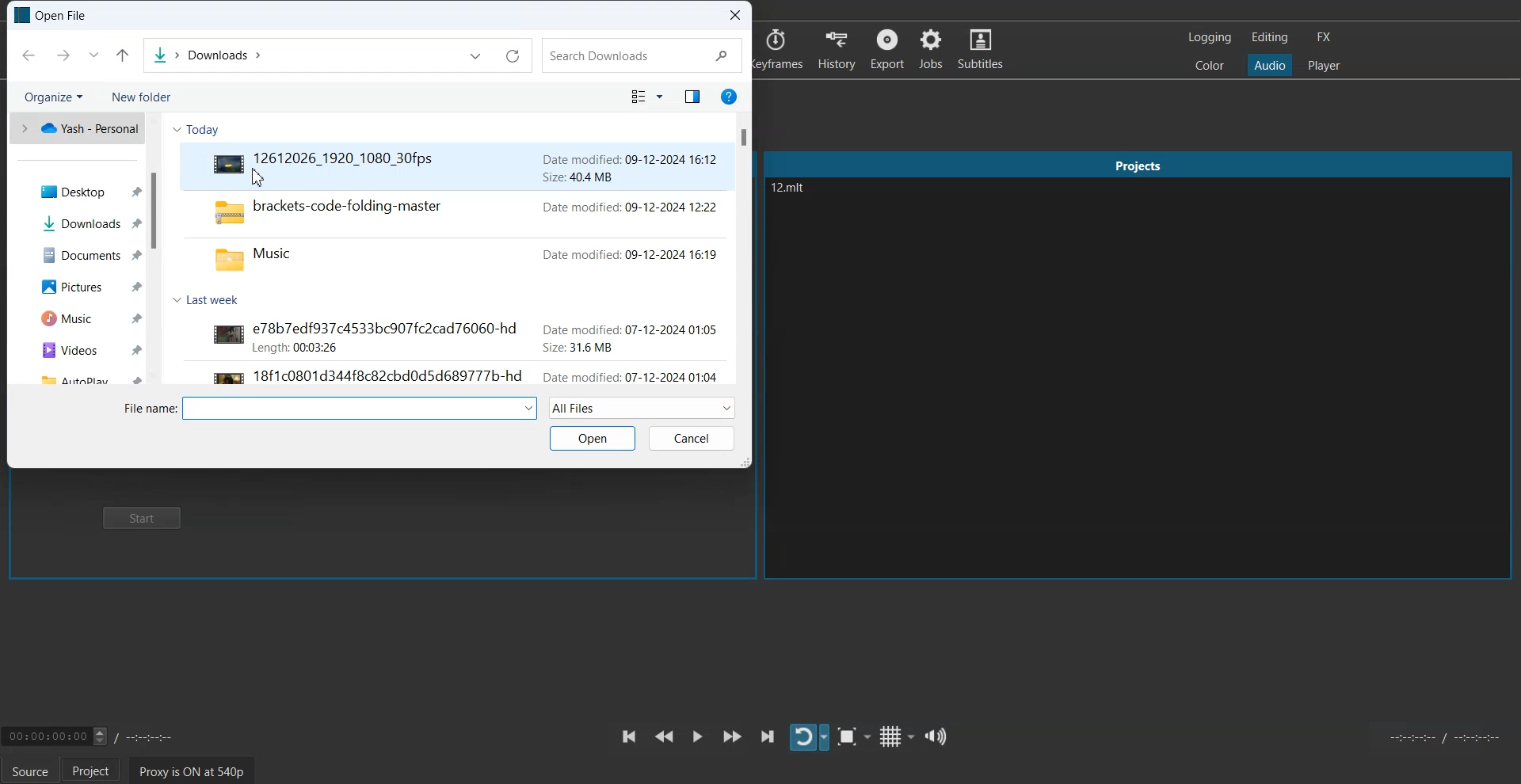 The height and width of the screenshot is (784, 1521). What do you see at coordinates (745, 249) in the screenshot?
I see `Vertical Scroll bar` at bounding box center [745, 249].